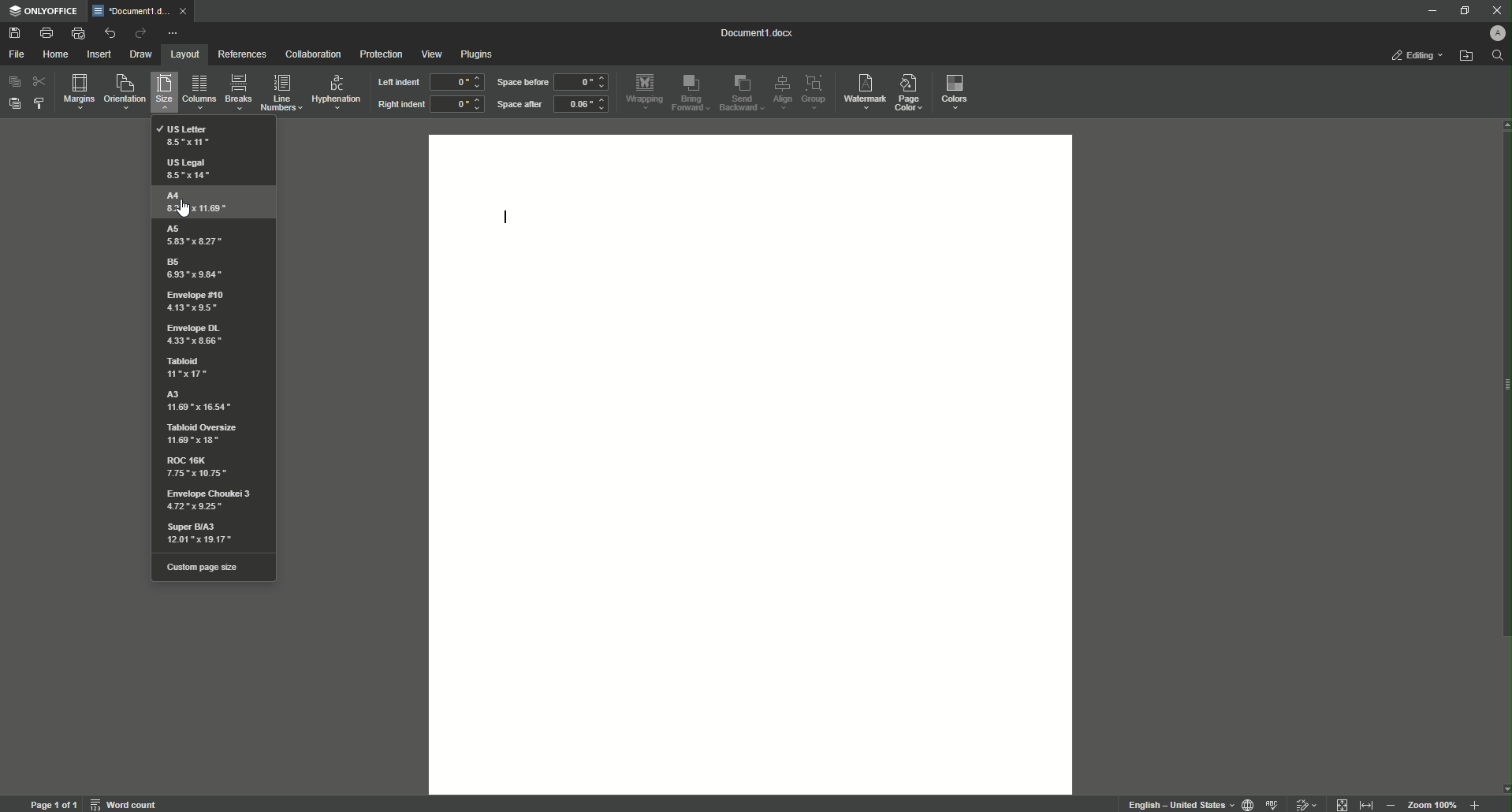  I want to click on View, so click(430, 54).